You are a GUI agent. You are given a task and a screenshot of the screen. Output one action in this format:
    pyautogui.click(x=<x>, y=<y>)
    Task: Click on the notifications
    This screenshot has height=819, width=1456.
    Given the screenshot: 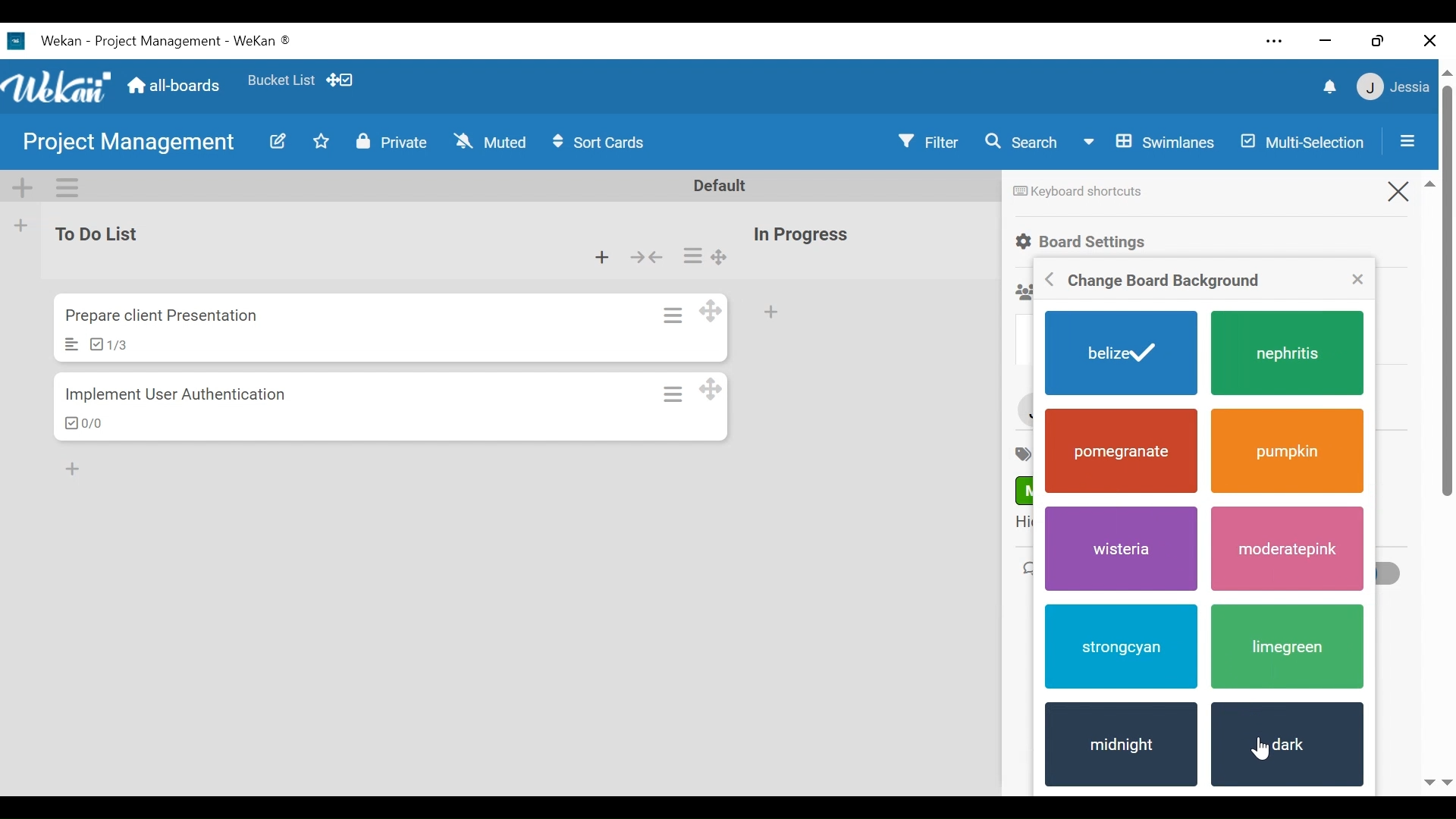 What is the action you would take?
    pyautogui.click(x=1319, y=86)
    